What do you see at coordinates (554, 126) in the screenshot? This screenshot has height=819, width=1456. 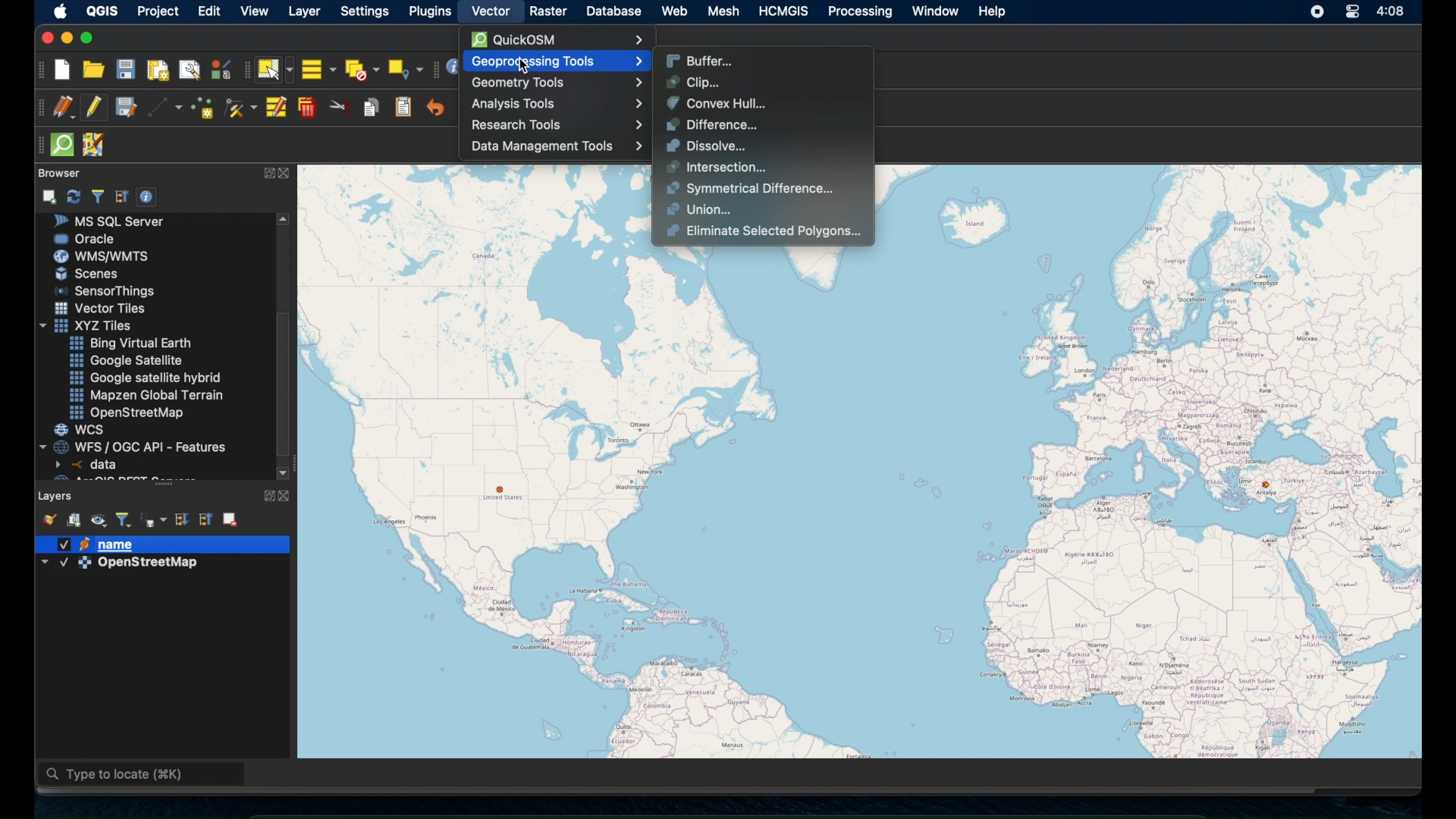 I see `Research Tools ` at bounding box center [554, 126].